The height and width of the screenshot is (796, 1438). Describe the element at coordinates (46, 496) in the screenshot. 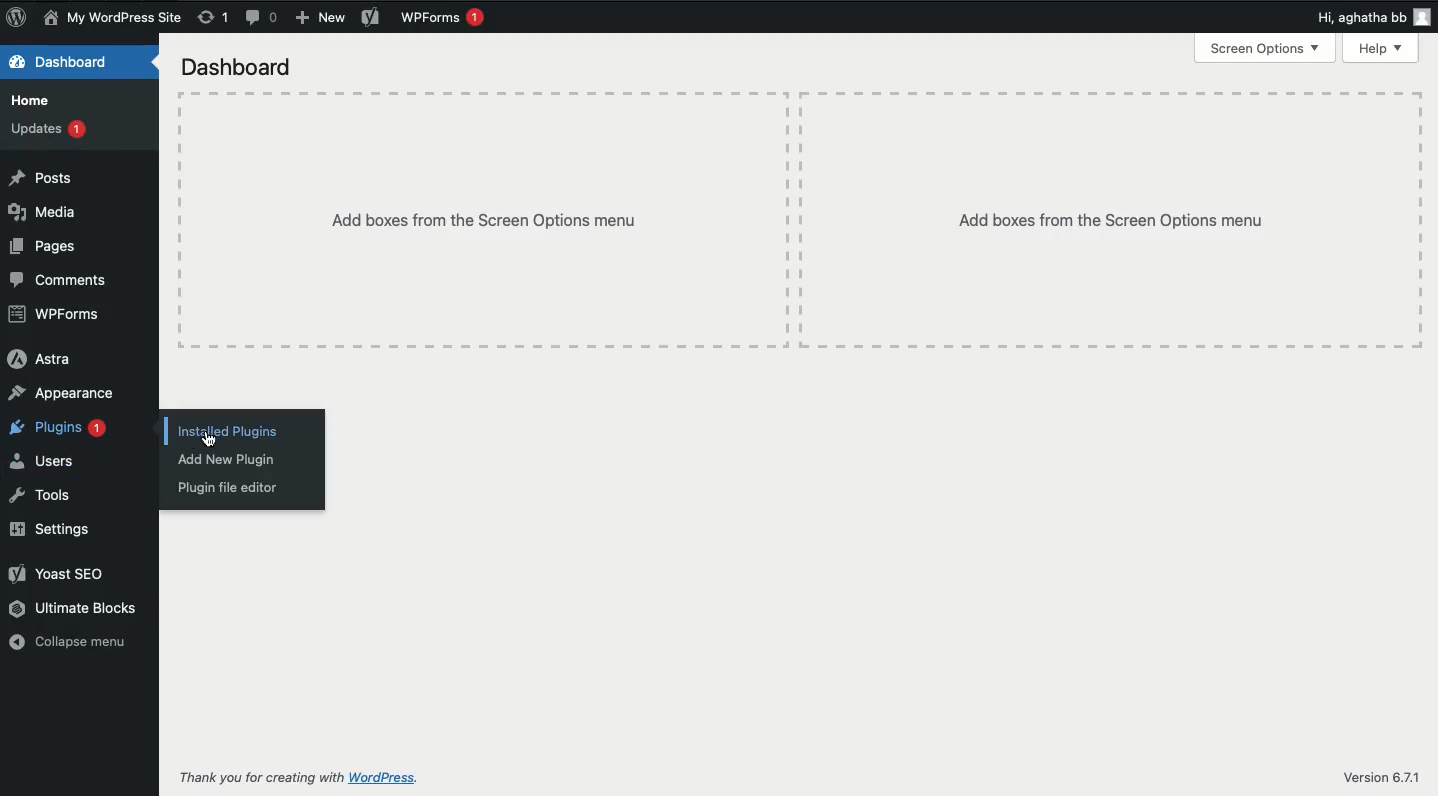

I see `Tools` at that location.